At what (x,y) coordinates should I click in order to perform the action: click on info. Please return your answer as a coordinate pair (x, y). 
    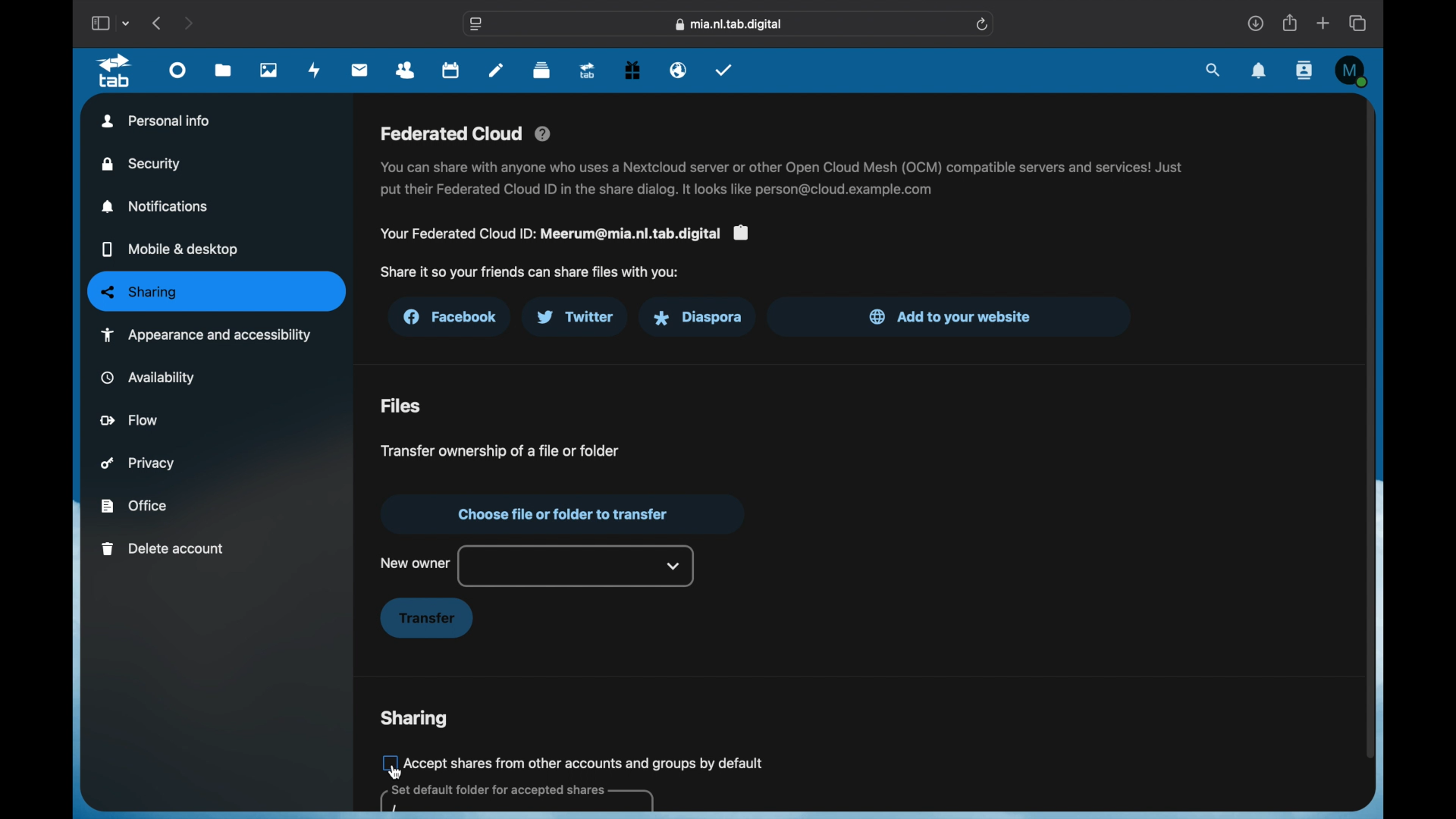
    Looking at the image, I should click on (783, 179).